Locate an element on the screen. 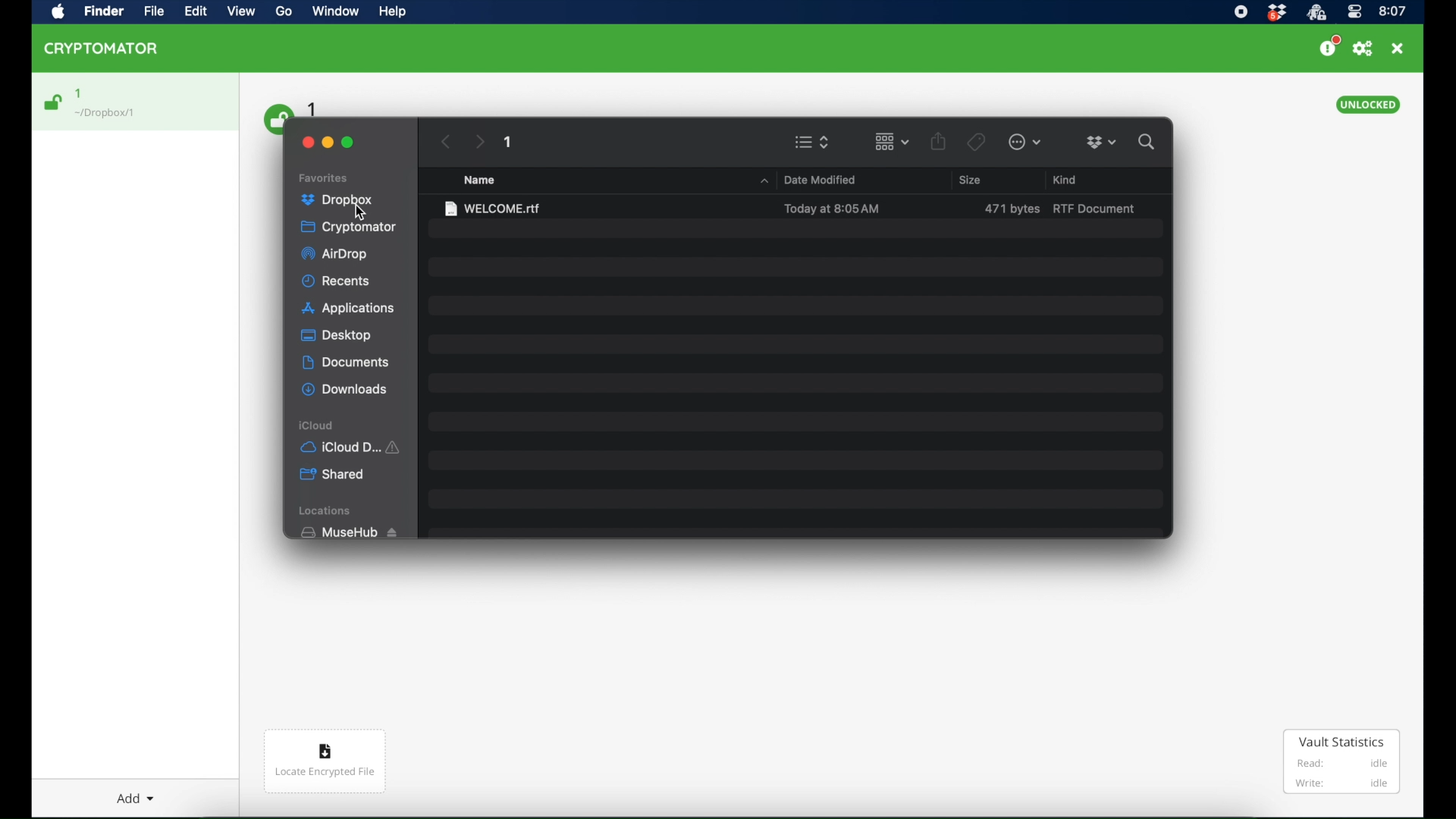 The width and height of the screenshot is (1456, 819). locations is located at coordinates (328, 511).